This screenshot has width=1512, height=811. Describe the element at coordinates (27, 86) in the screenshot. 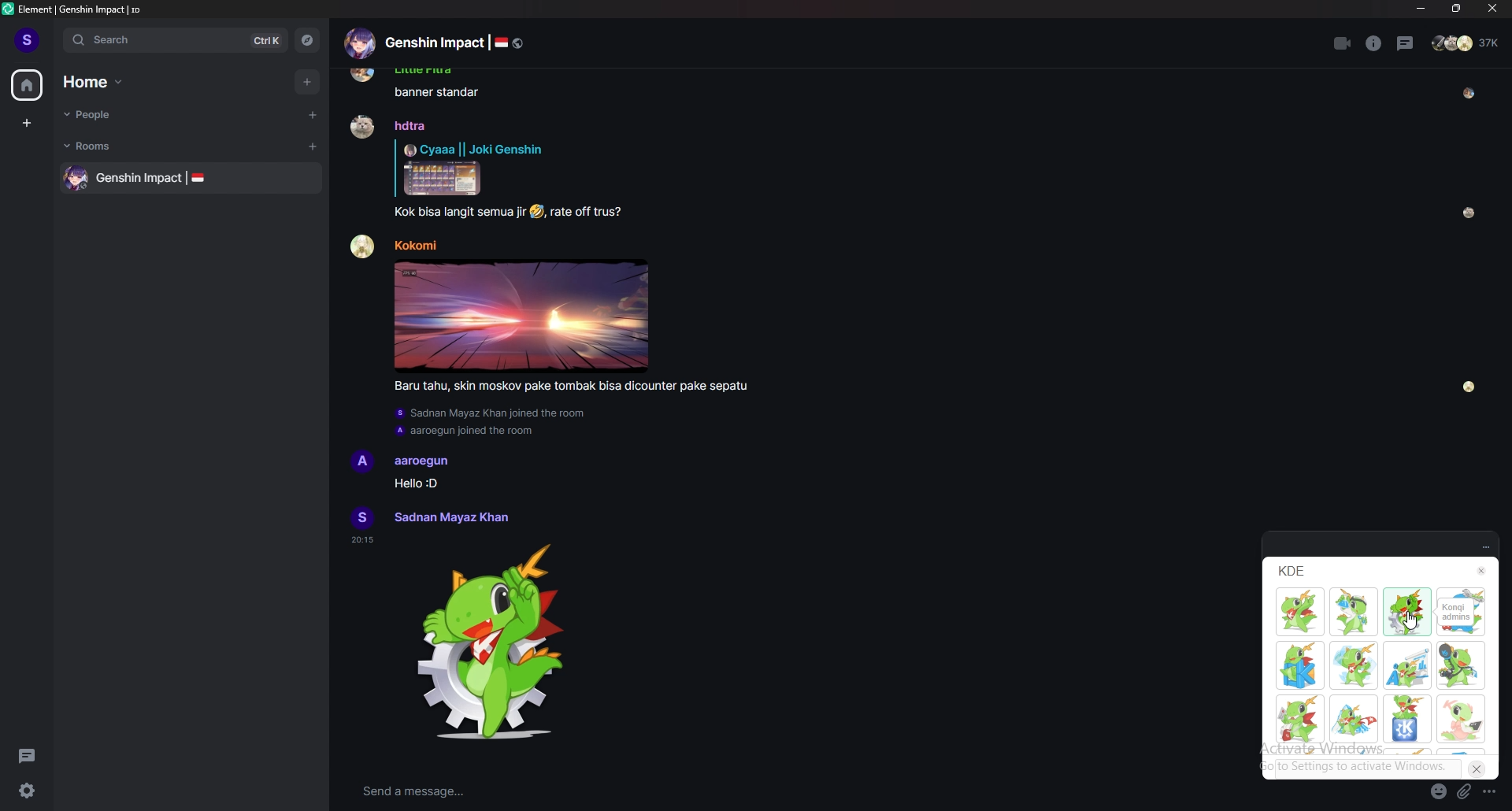

I see `home` at that location.